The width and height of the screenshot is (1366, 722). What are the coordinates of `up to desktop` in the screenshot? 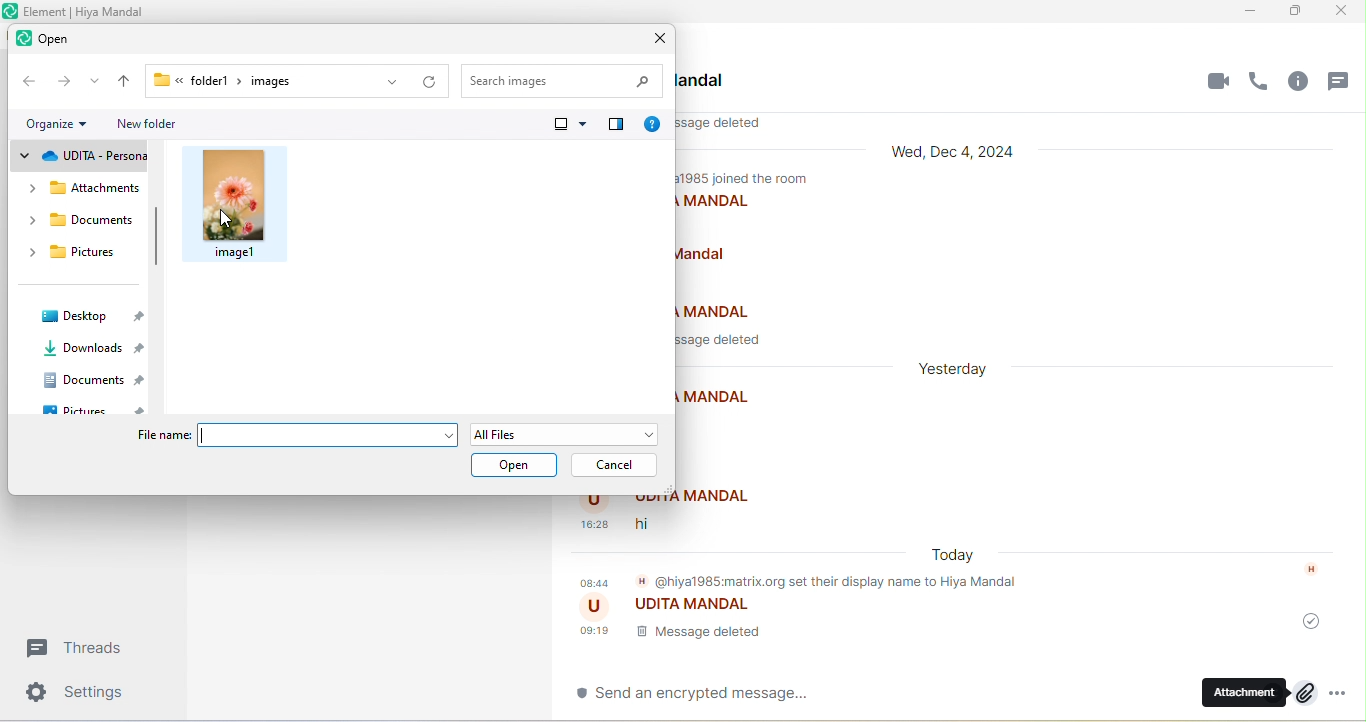 It's located at (126, 84).